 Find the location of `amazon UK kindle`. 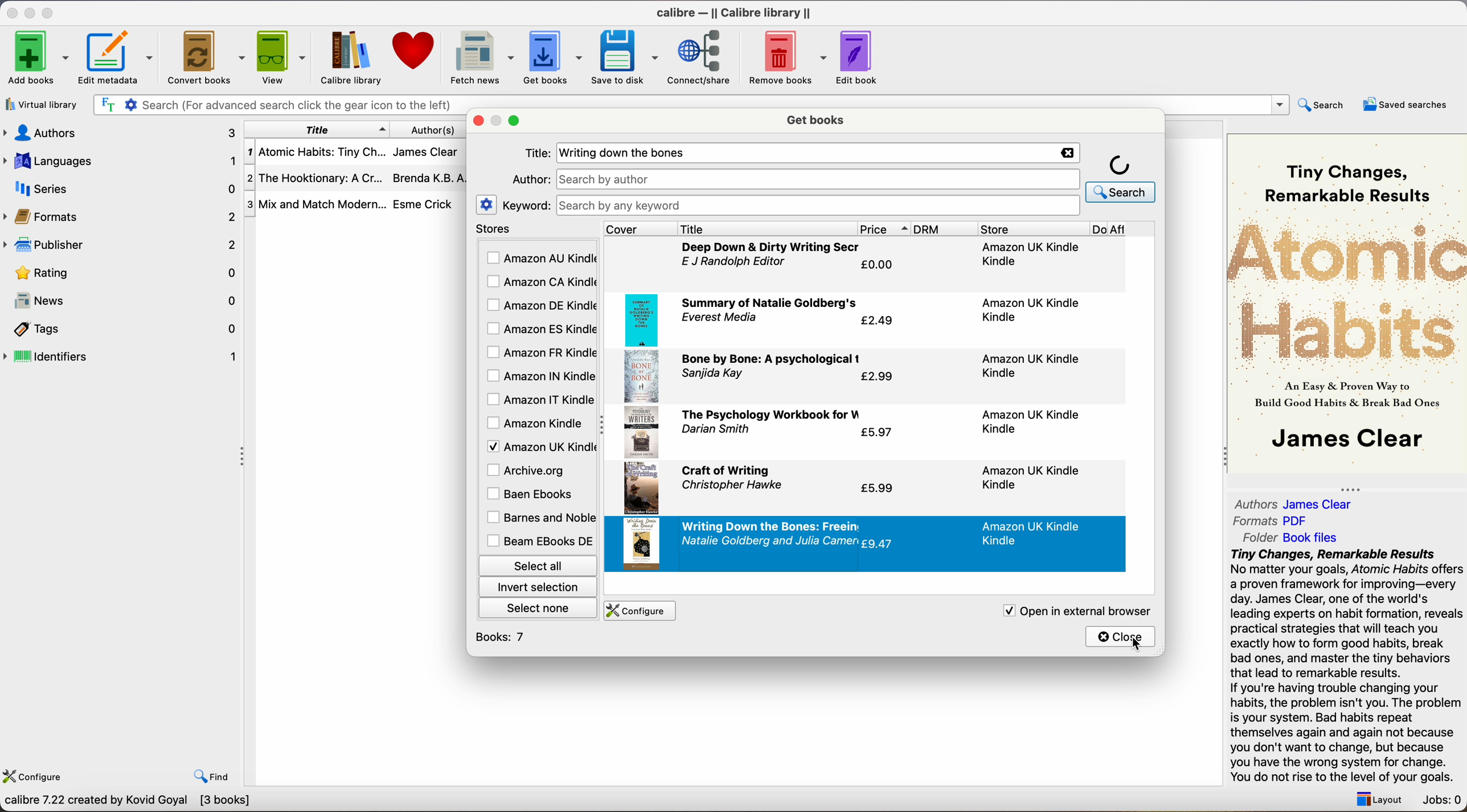

amazon UK kindle is located at coordinates (1033, 420).